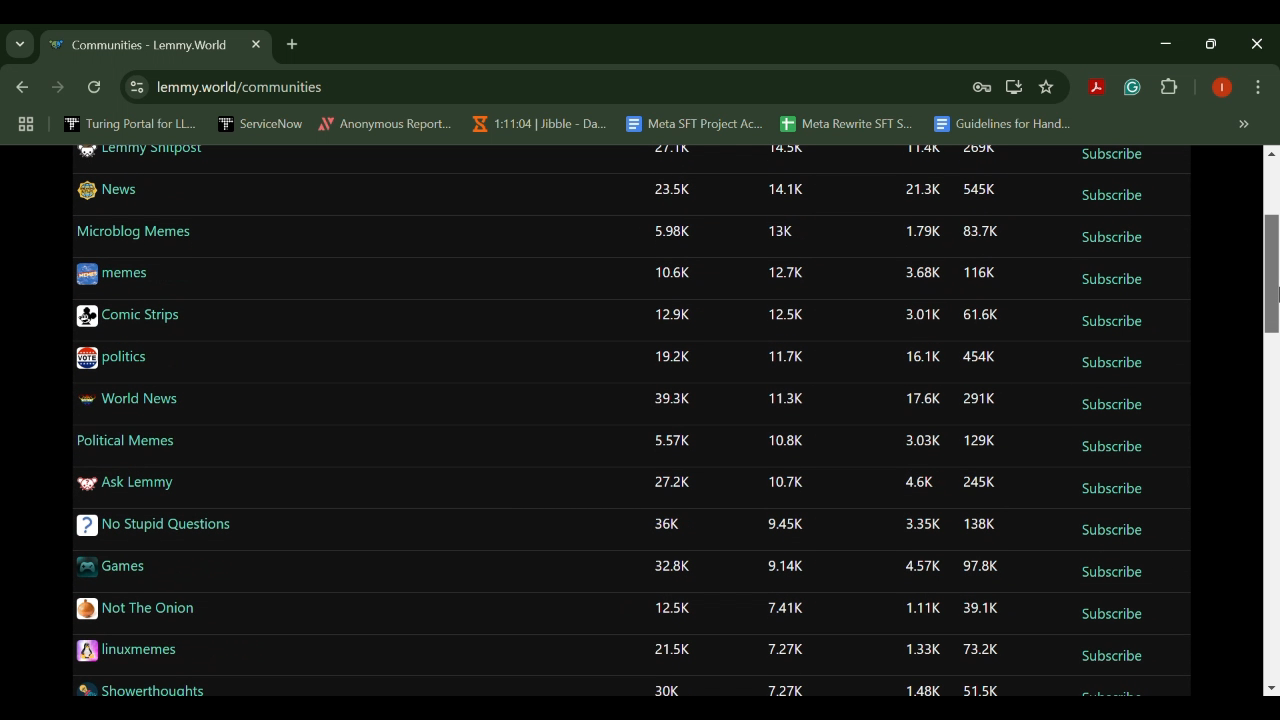 The image size is (1280, 720). I want to click on Games, so click(111, 567).